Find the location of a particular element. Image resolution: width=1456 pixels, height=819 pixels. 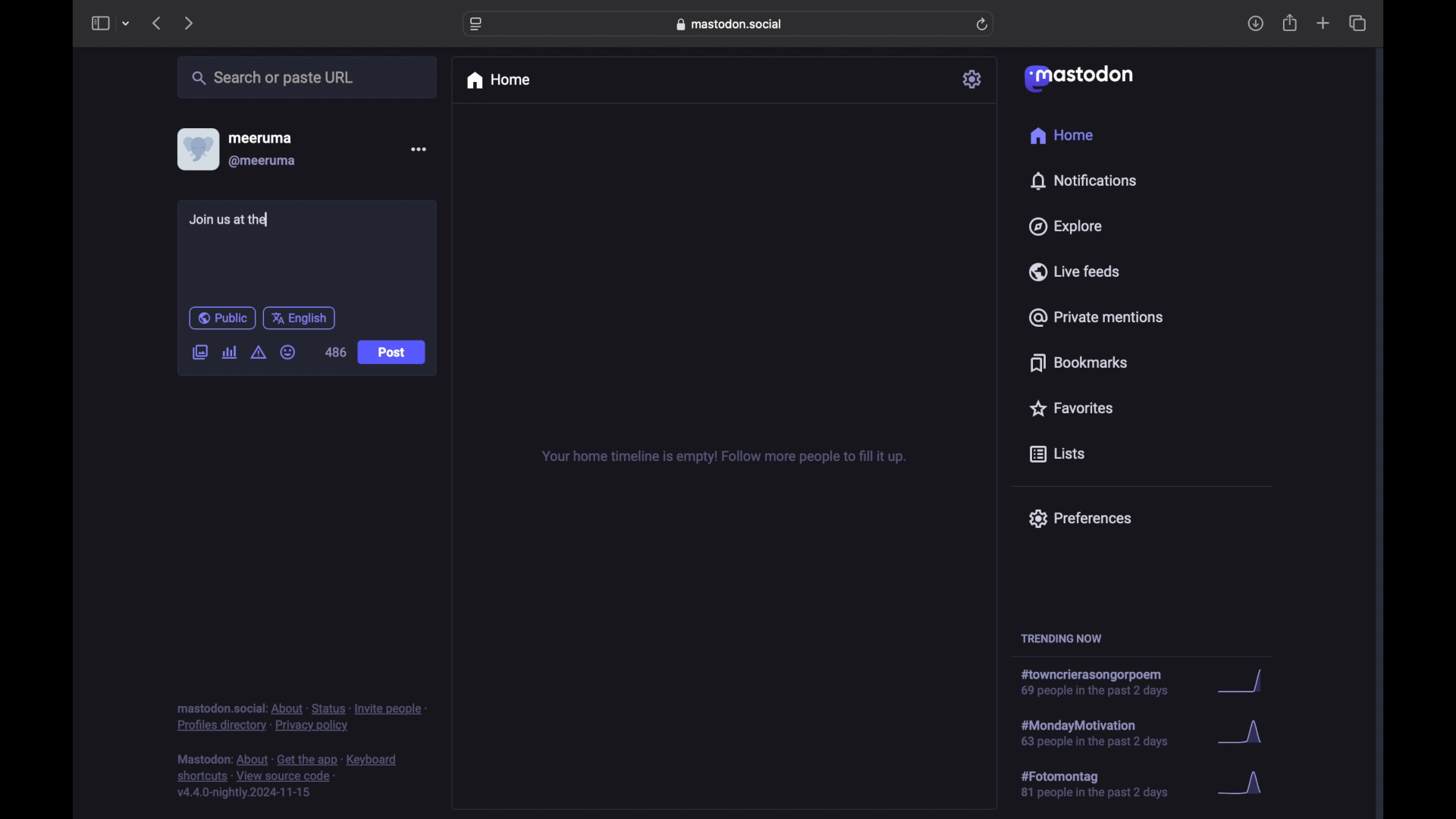

text cursor is located at coordinates (269, 218).